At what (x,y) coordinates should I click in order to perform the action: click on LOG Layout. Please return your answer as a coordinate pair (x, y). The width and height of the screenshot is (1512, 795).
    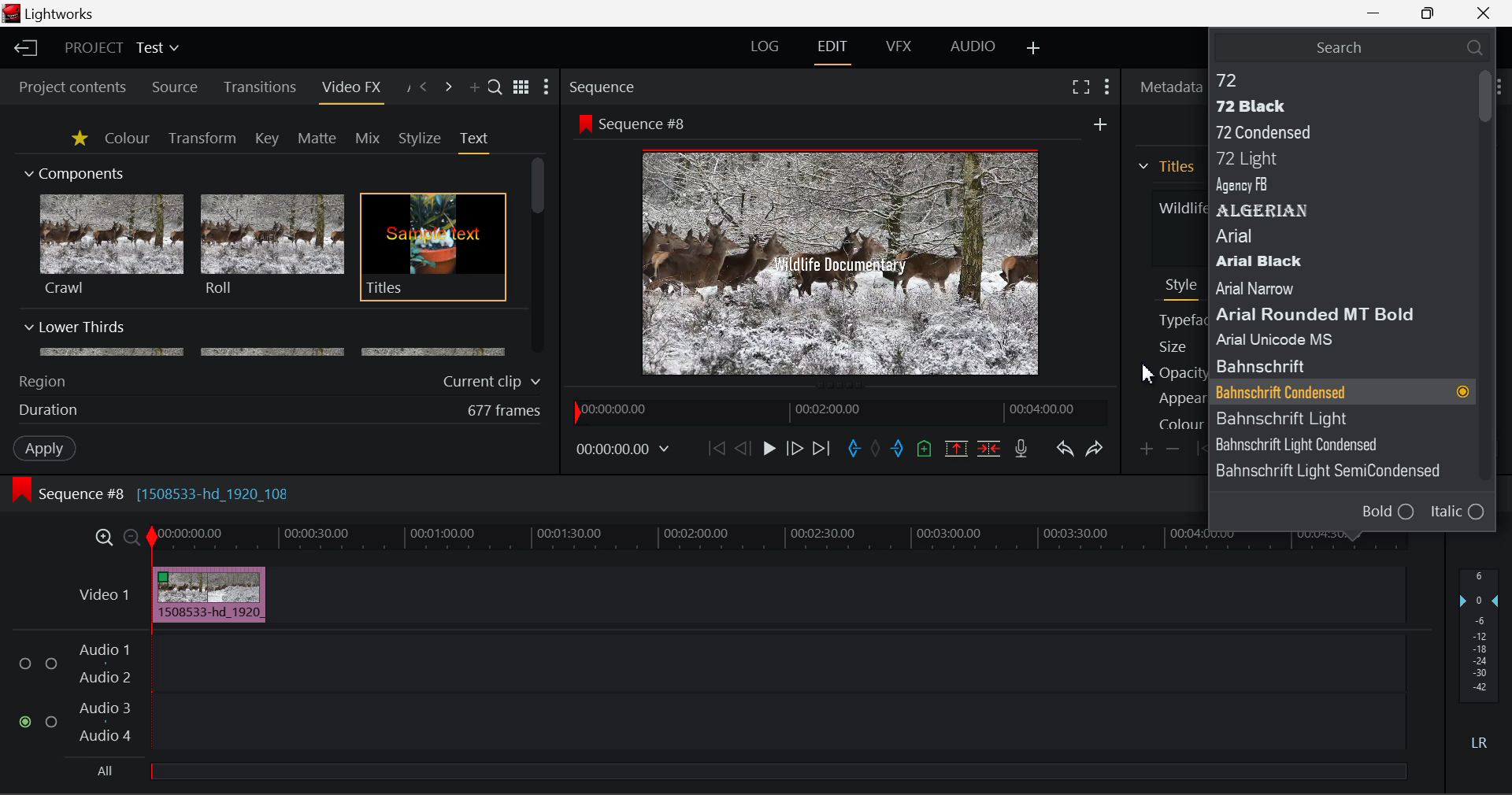
    Looking at the image, I should click on (765, 46).